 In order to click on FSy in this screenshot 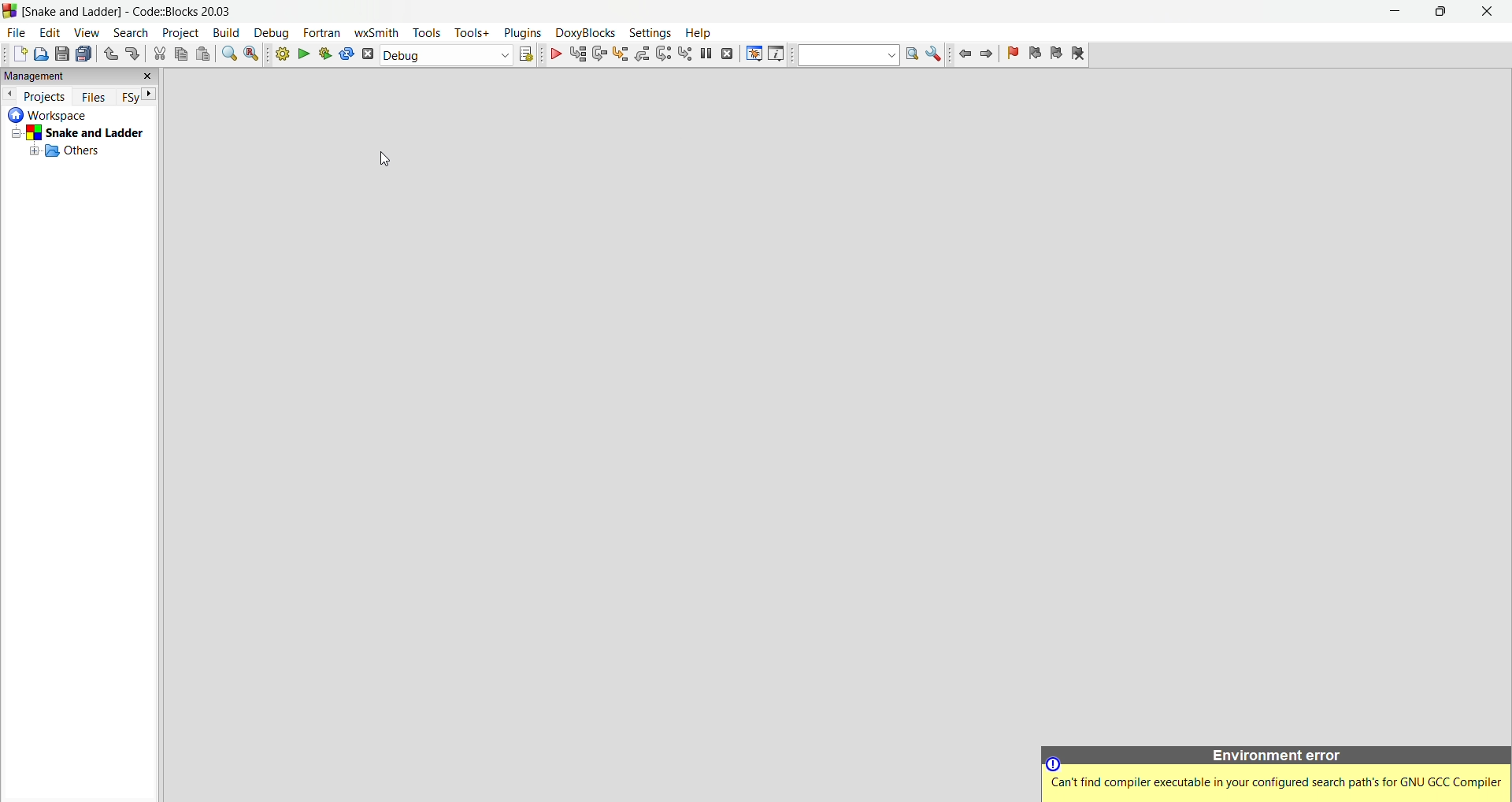, I will do `click(128, 96)`.